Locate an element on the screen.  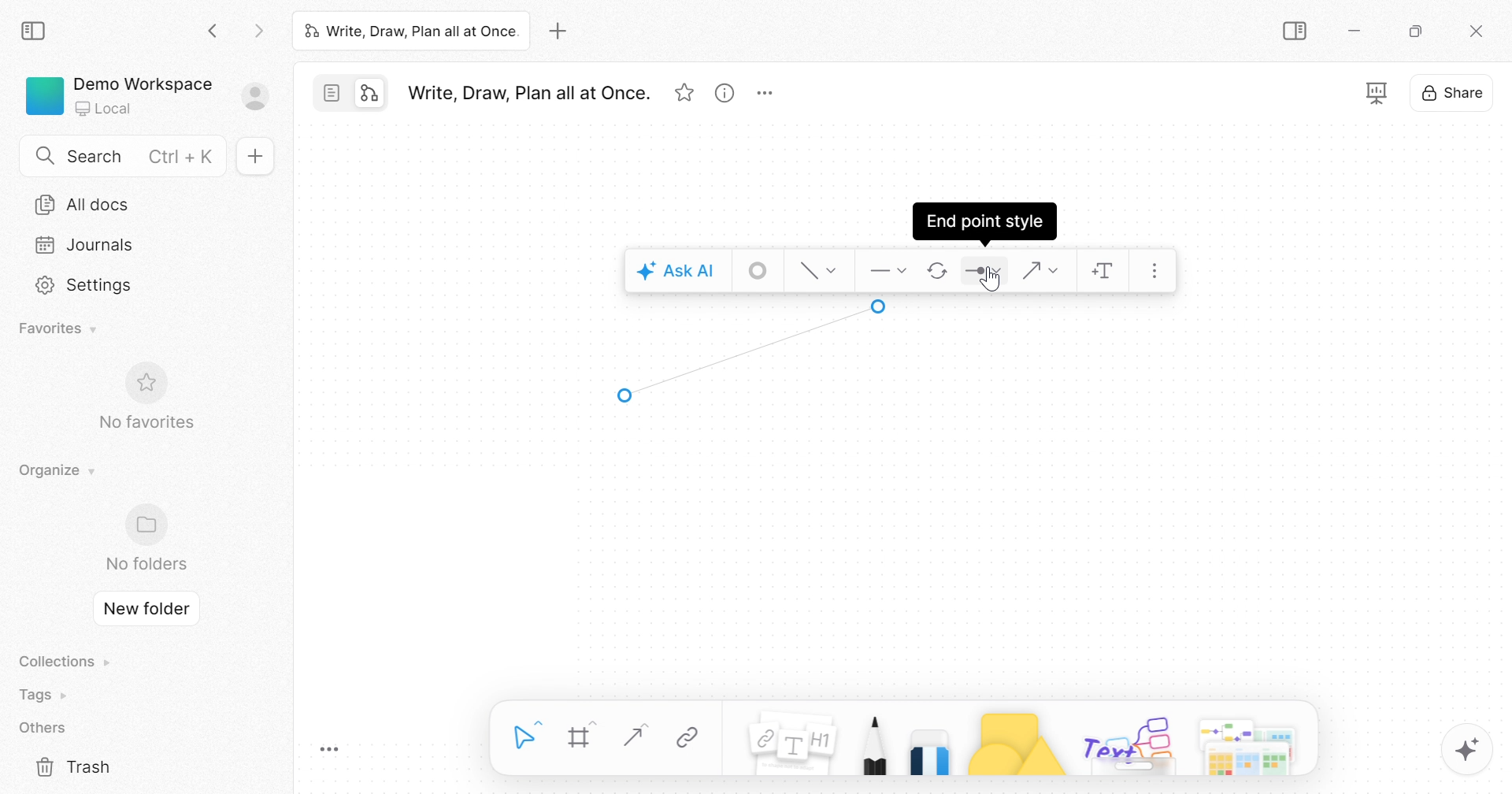
Tags is located at coordinates (46, 695).